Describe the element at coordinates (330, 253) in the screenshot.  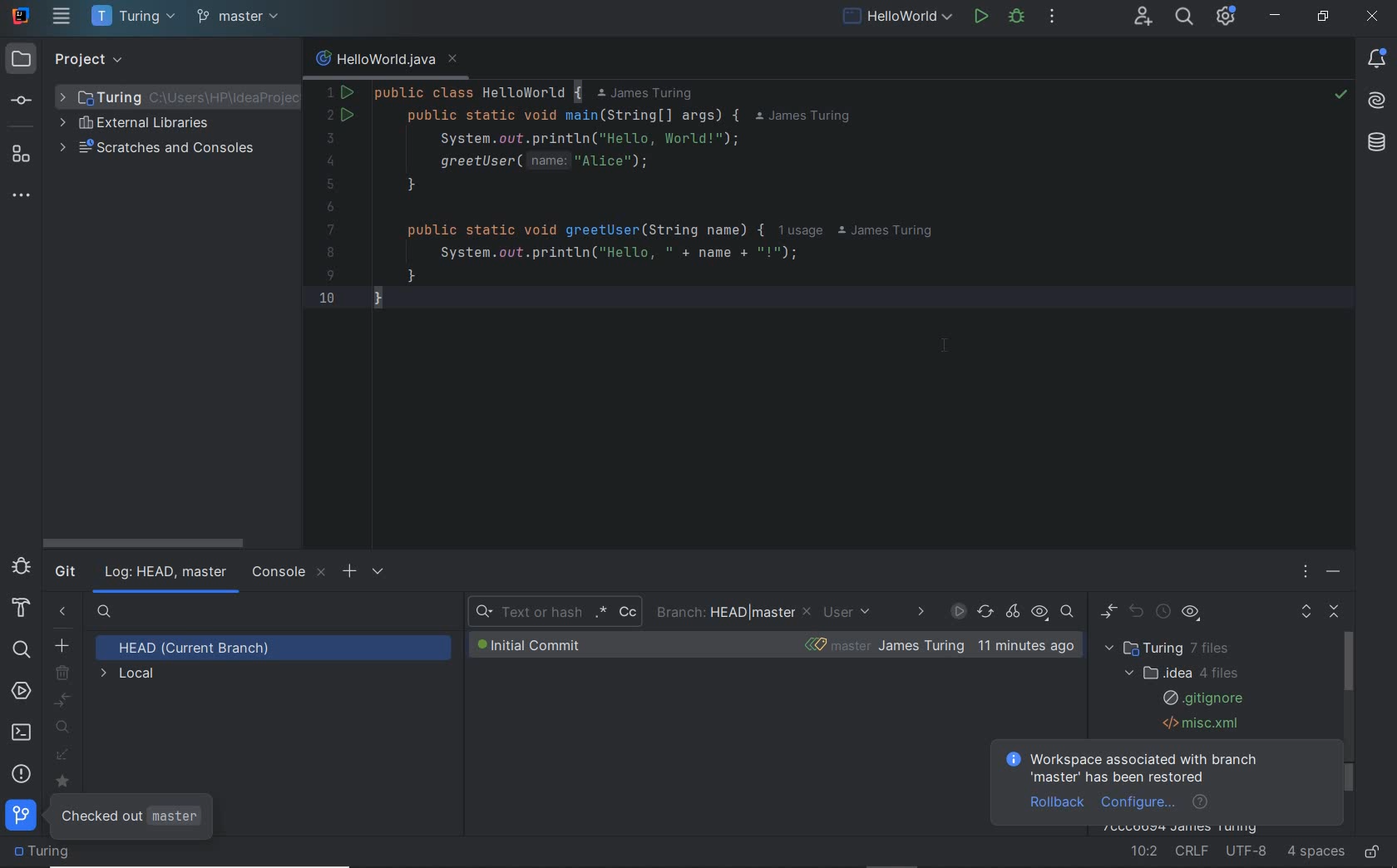
I see `8` at that location.